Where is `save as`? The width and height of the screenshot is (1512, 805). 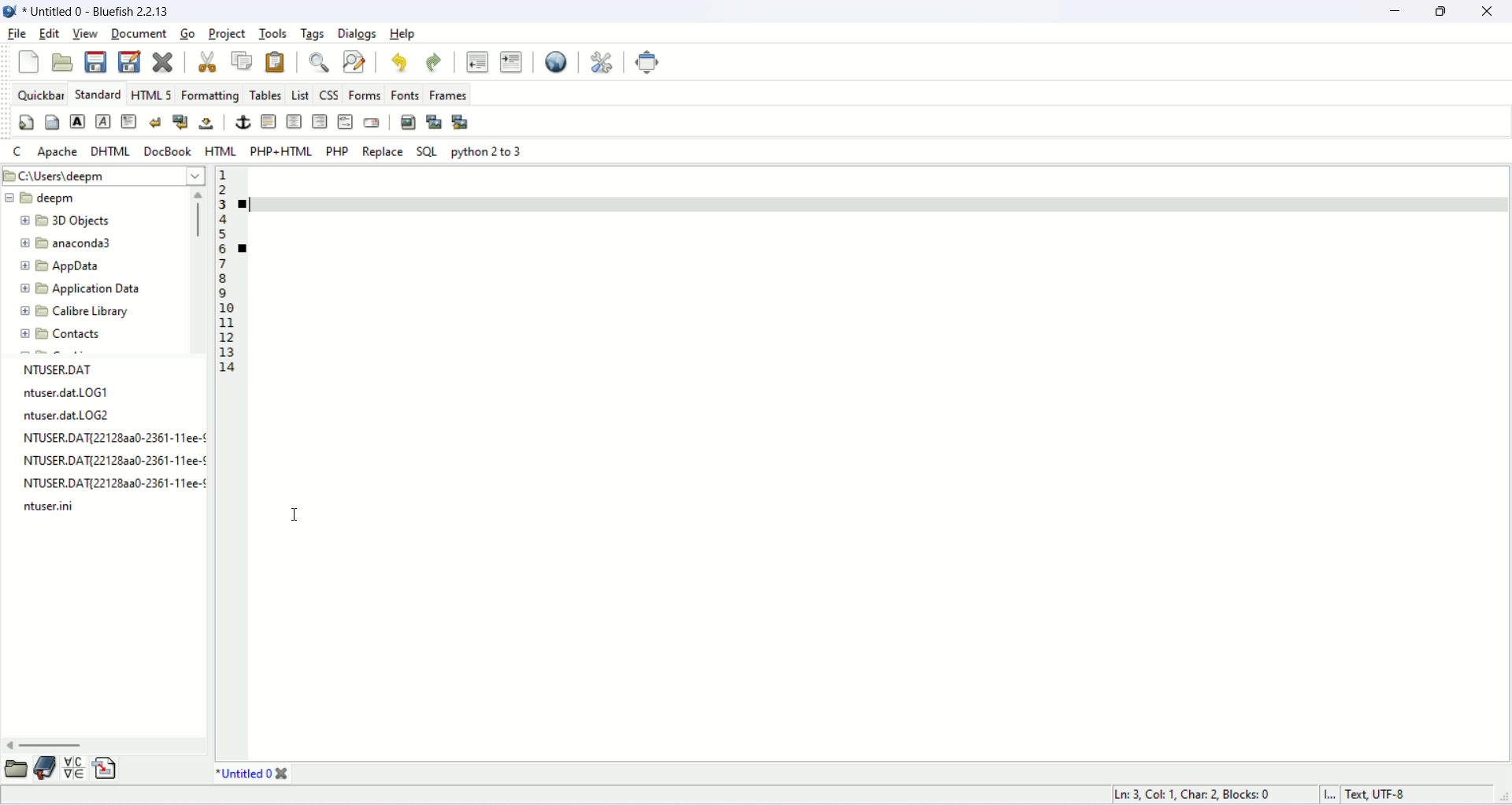
save as is located at coordinates (129, 61).